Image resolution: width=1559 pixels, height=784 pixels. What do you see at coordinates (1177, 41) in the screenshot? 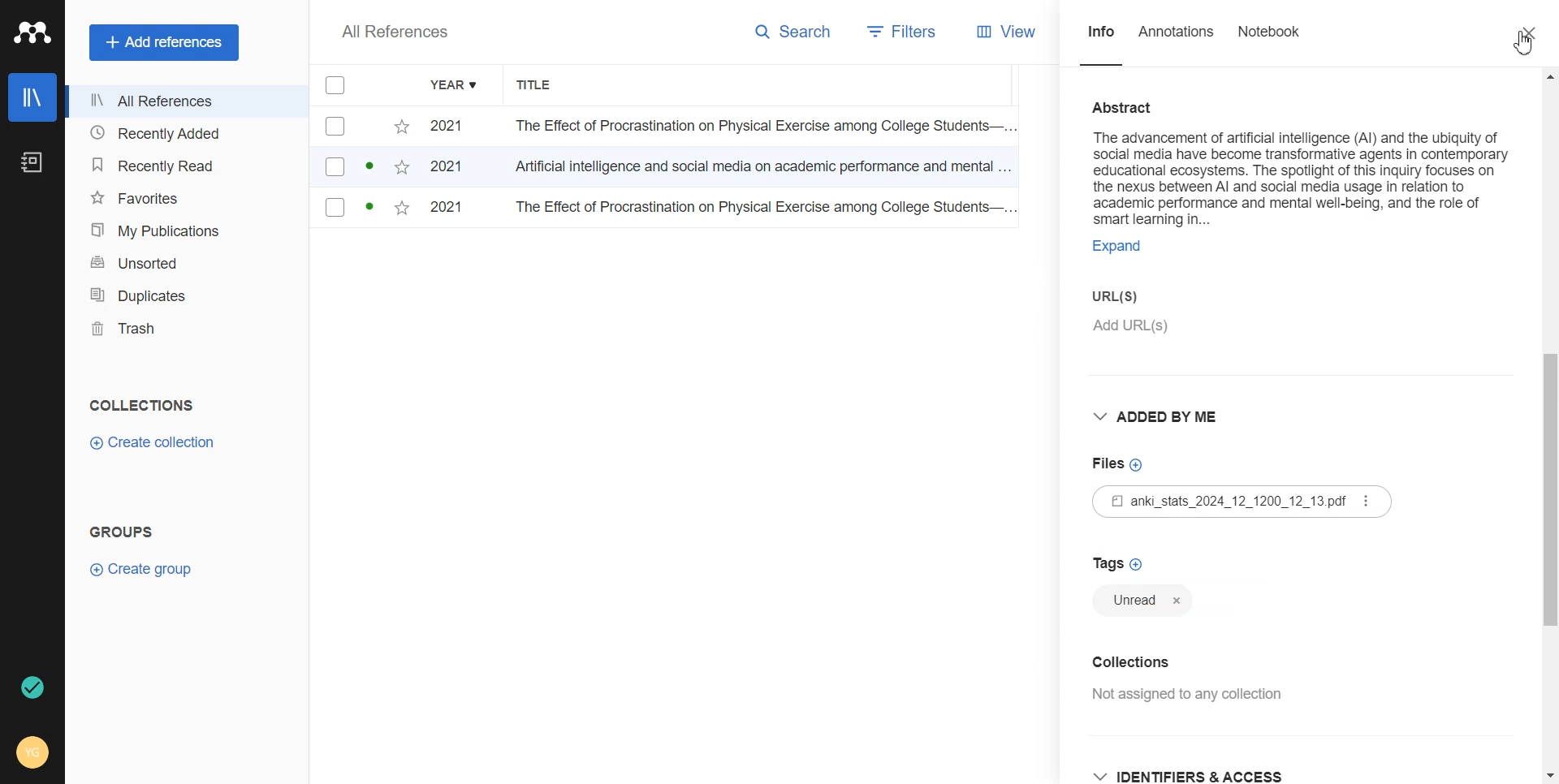
I see `Annotations` at bounding box center [1177, 41].